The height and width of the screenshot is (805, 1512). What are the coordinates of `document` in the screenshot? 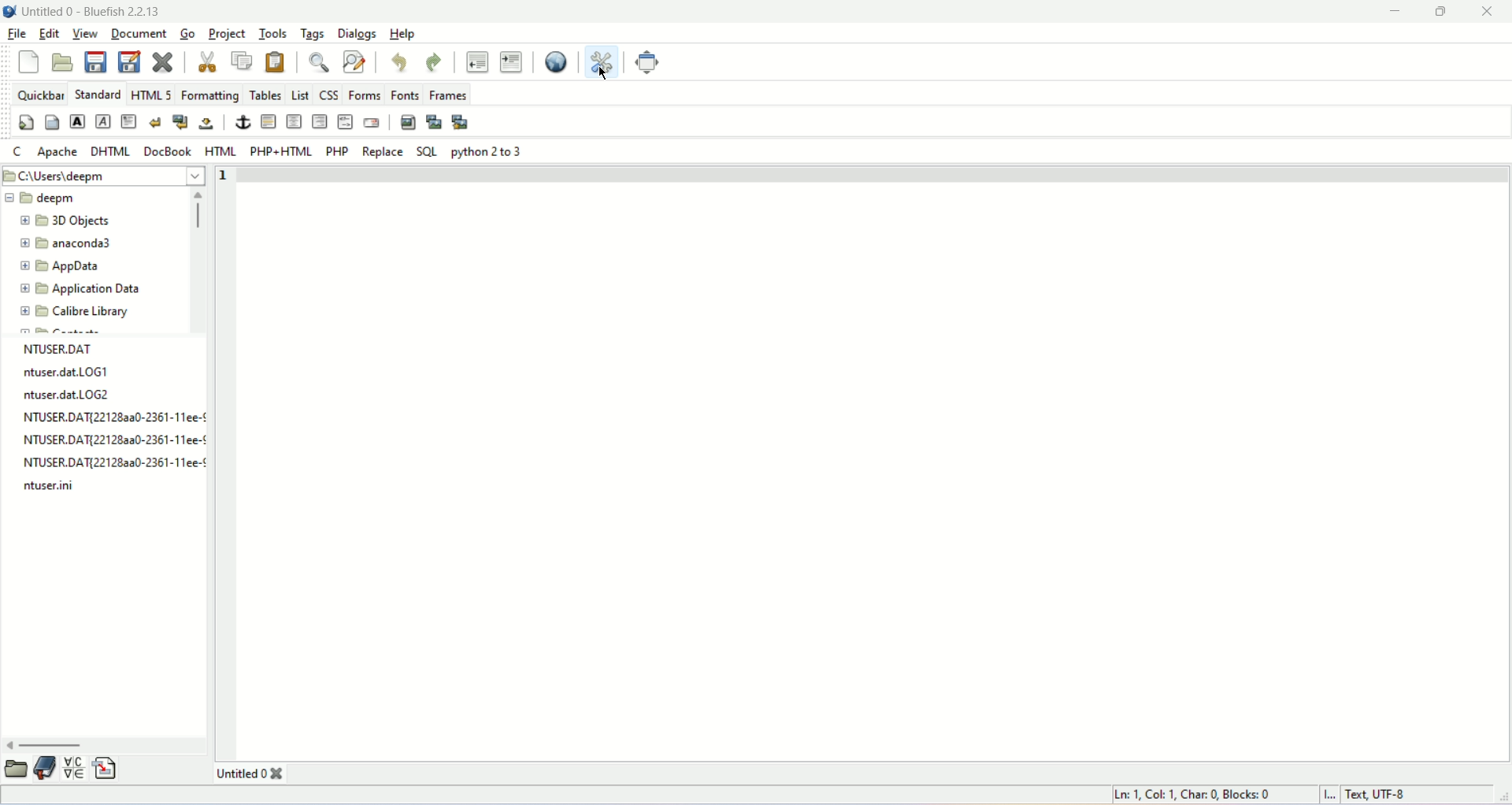 It's located at (139, 32).